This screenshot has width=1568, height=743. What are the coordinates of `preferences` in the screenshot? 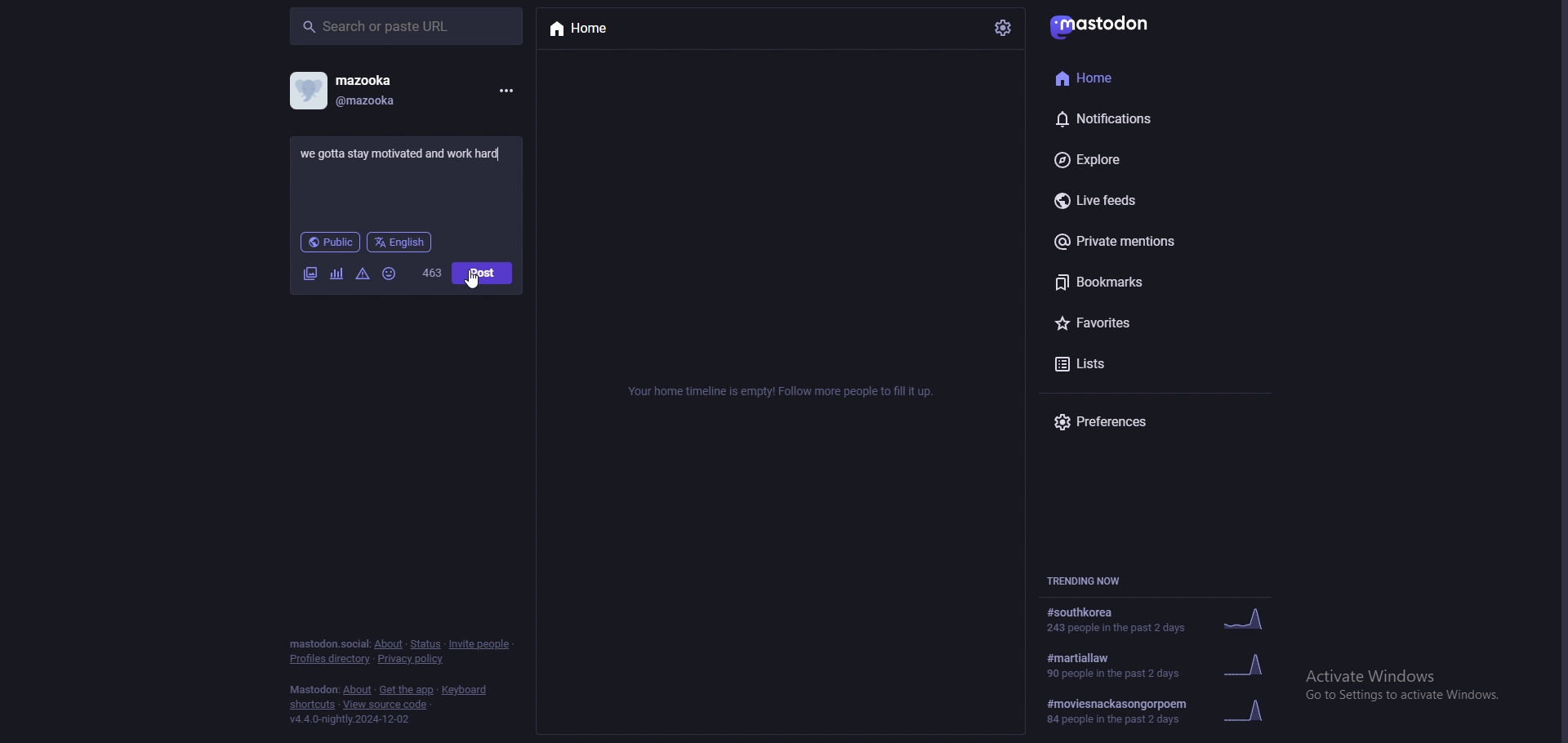 It's located at (1142, 422).